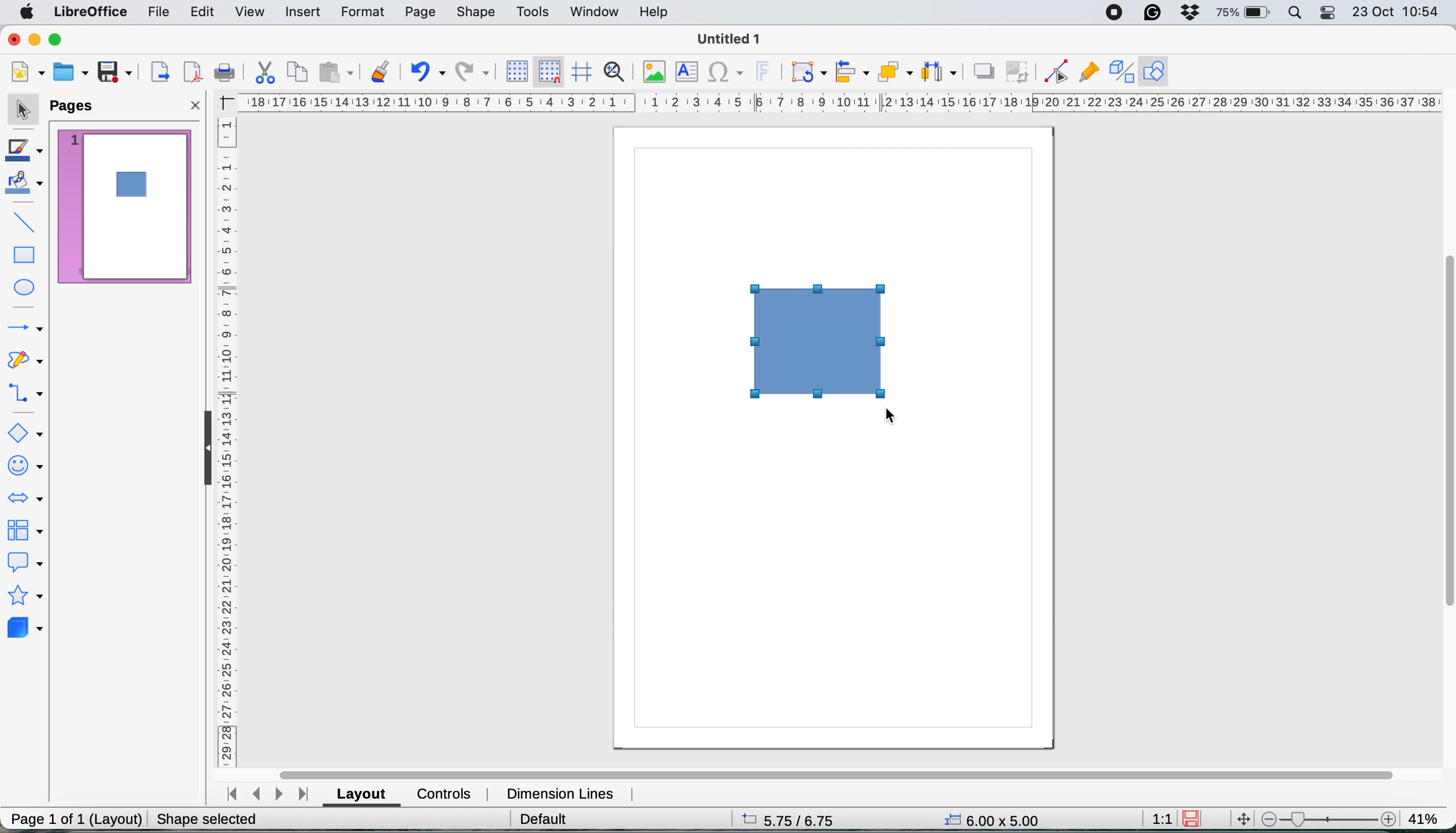 This screenshot has height=833, width=1456. Describe the element at coordinates (301, 72) in the screenshot. I see `copy` at that location.